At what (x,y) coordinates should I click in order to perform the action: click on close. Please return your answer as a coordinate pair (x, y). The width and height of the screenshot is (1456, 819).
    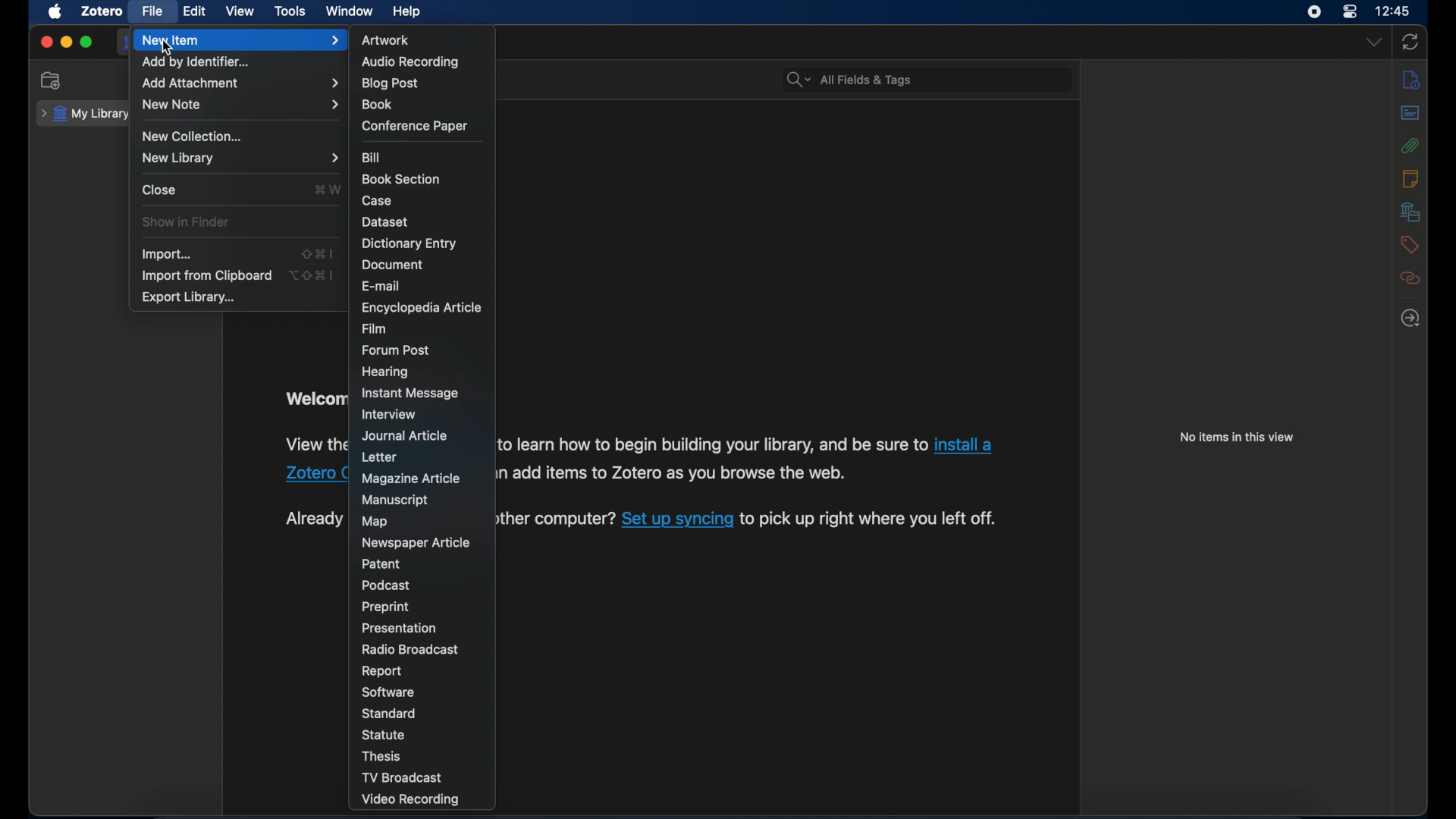
    Looking at the image, I should click on (160, 190).